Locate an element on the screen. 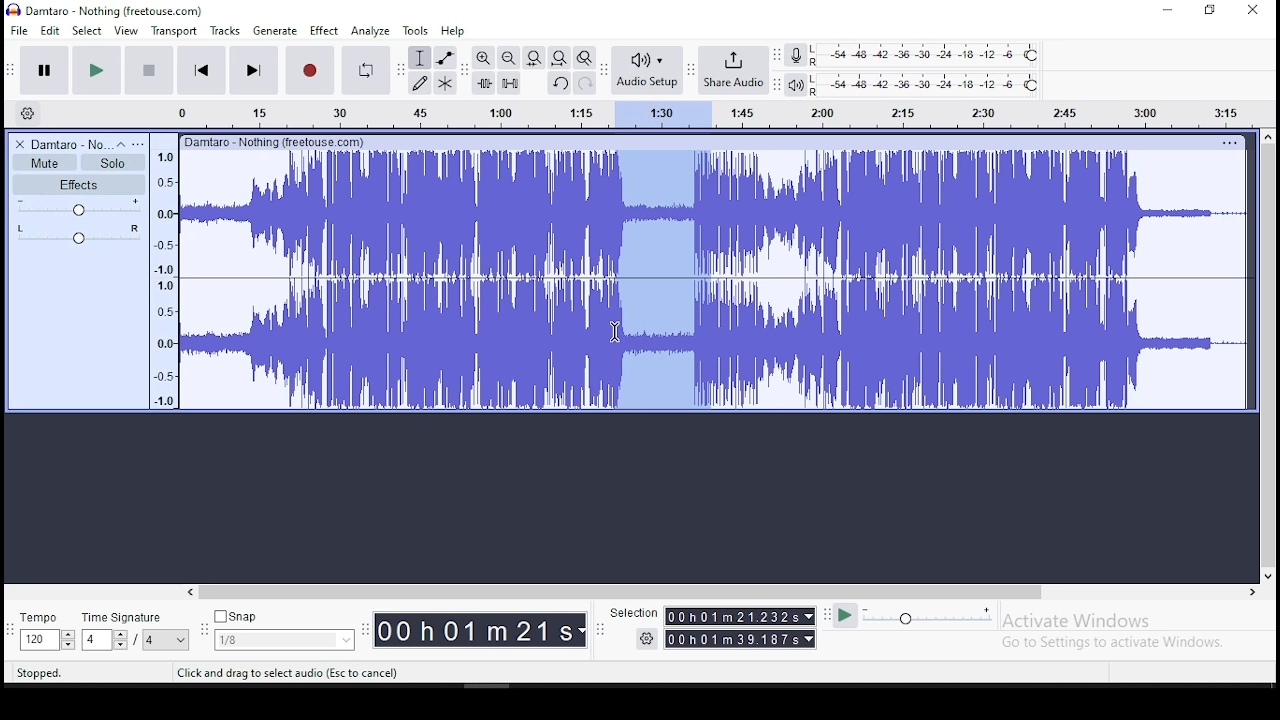 This screenshot has width=1280, height=720. vertical scroll bar is located at coordinates (1271, 353).